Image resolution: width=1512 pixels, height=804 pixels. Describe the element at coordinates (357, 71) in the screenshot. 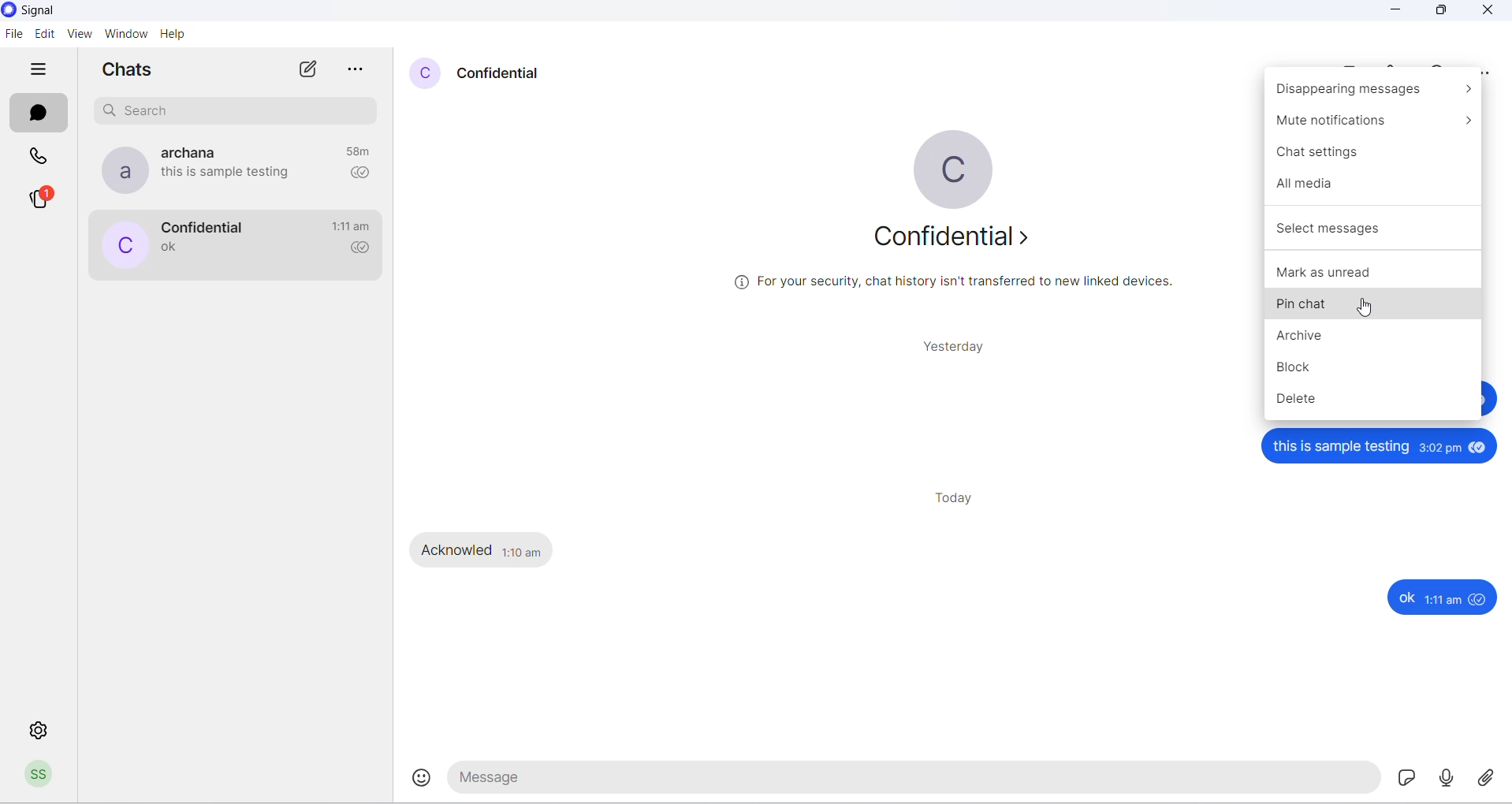

I see `options` at that location.